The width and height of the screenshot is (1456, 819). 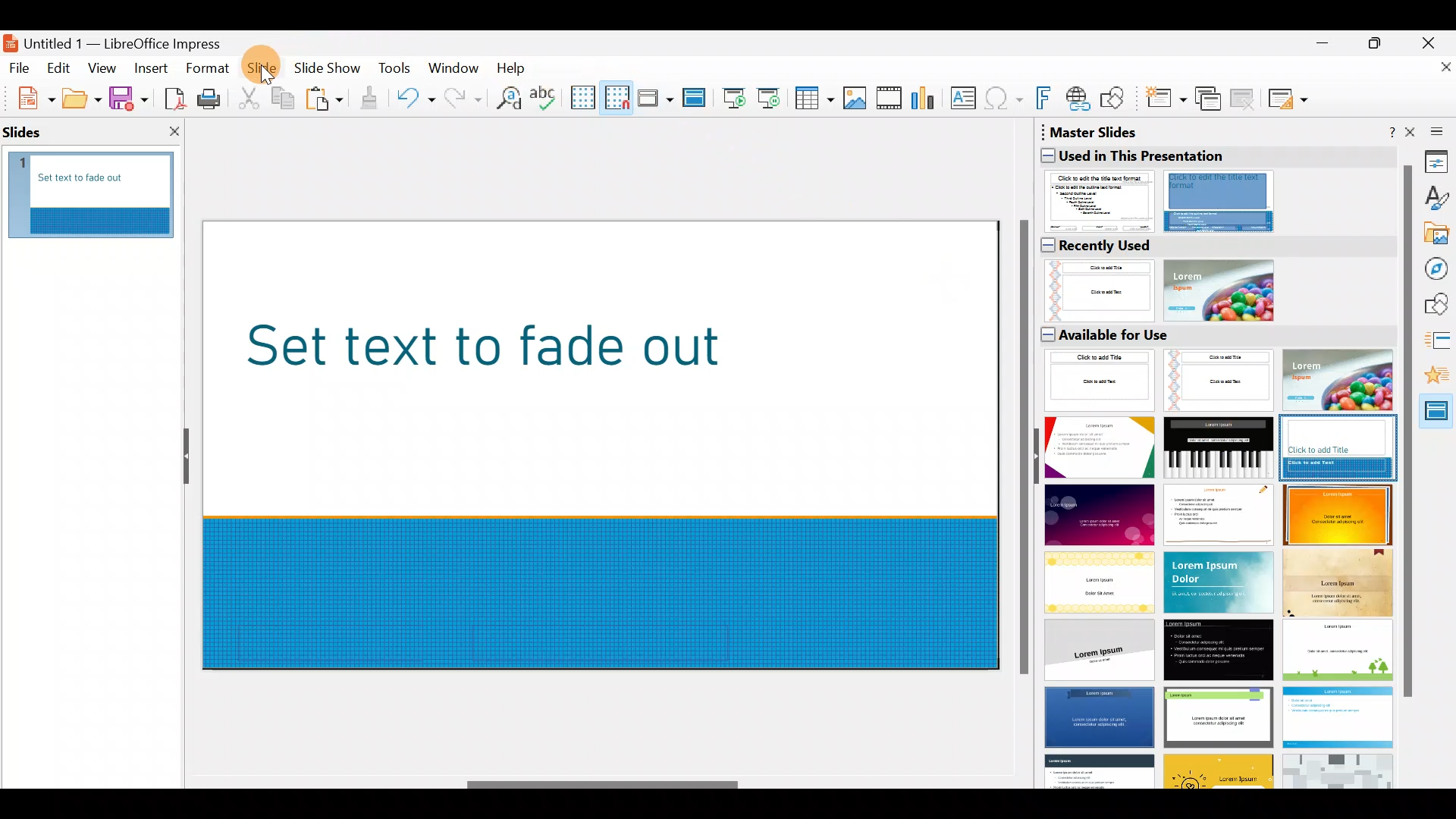 I want to click on Export directly as PDF, so click(x=171, y=97).